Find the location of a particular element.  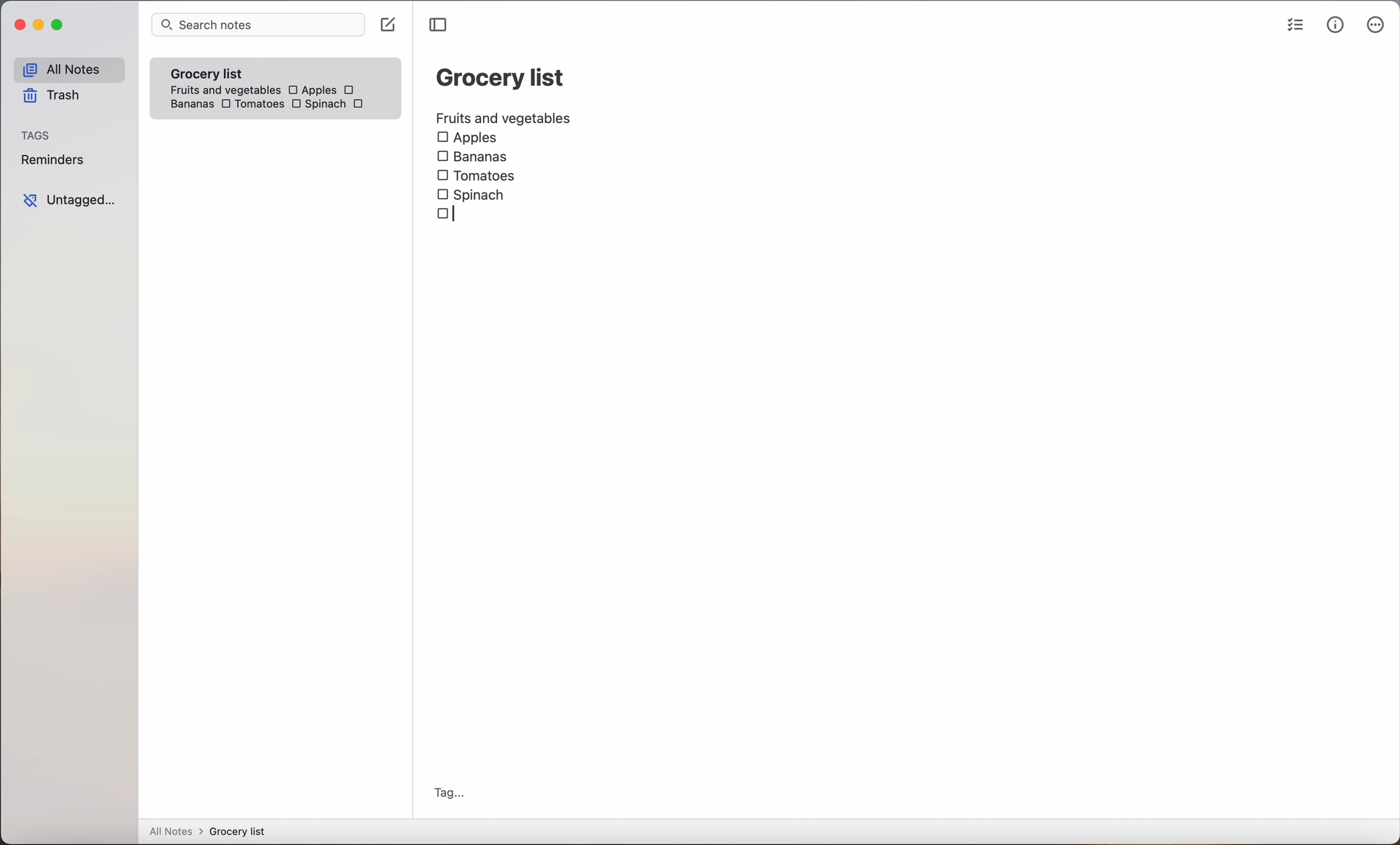

metrics is located at coordinates (1335, 26).